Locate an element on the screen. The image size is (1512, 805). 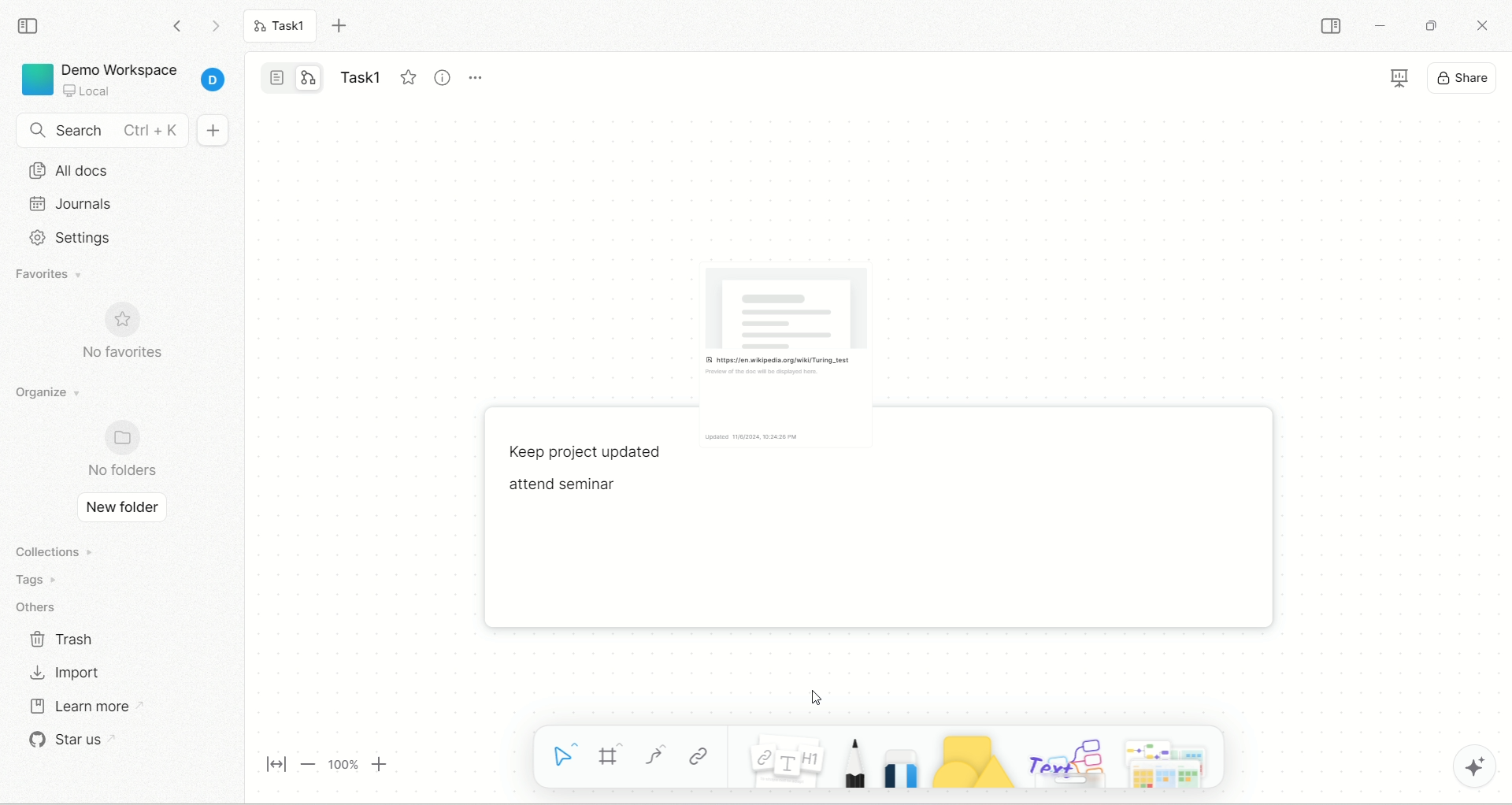
template is located at coordinates (1170, 762).